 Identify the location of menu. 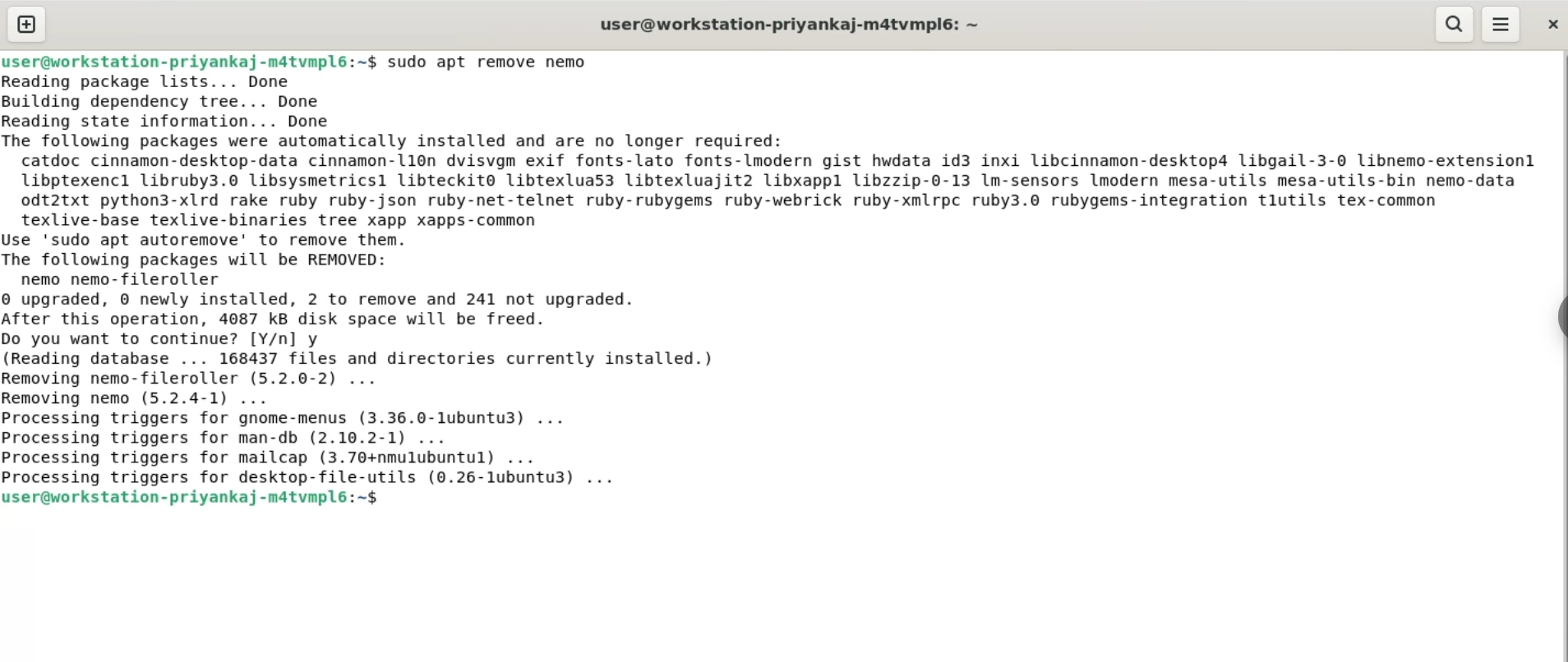
(1503, 25).